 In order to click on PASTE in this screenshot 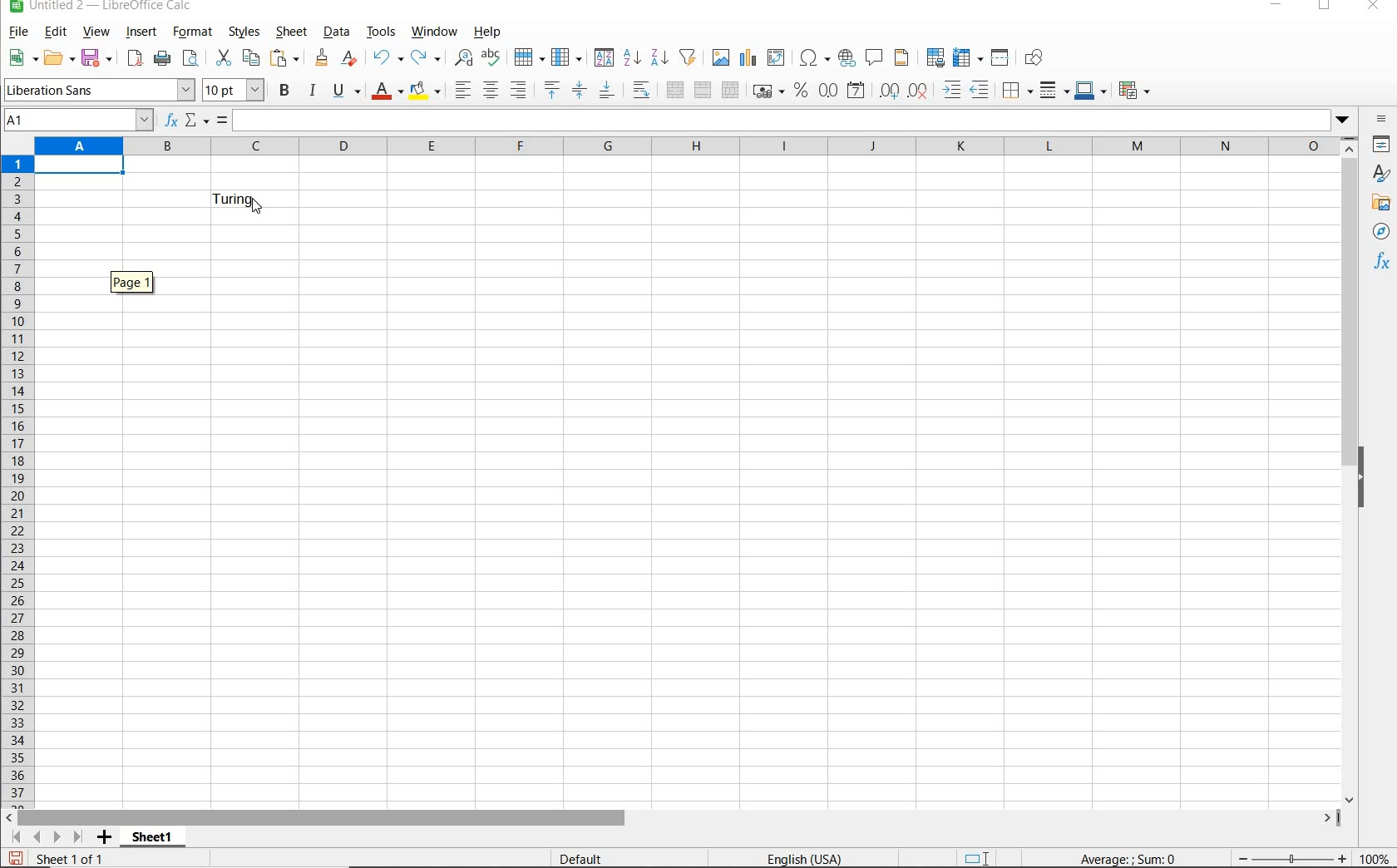, I will do `click(286, 60)`.